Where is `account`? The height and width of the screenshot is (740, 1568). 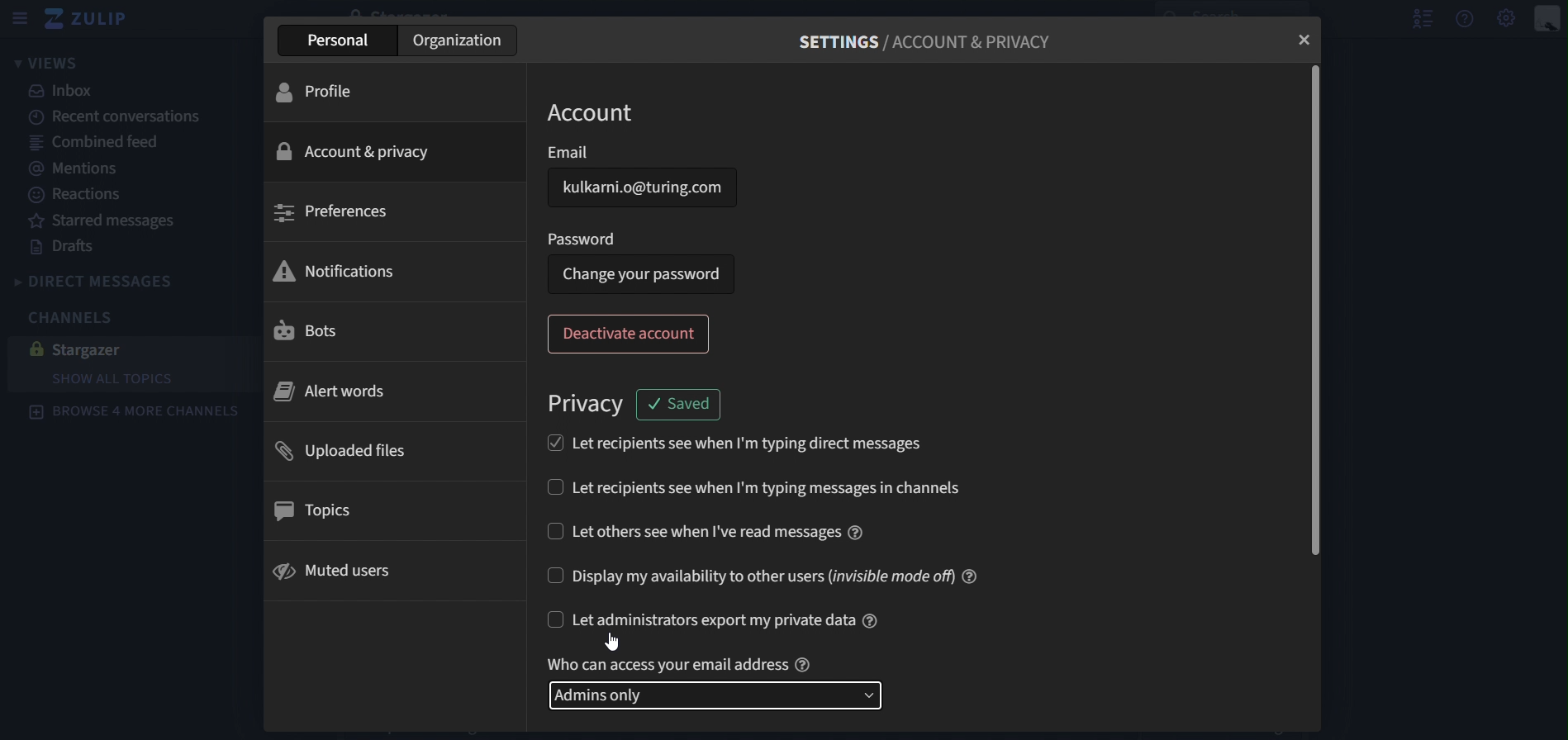 account is located at coordinates (598, 112).